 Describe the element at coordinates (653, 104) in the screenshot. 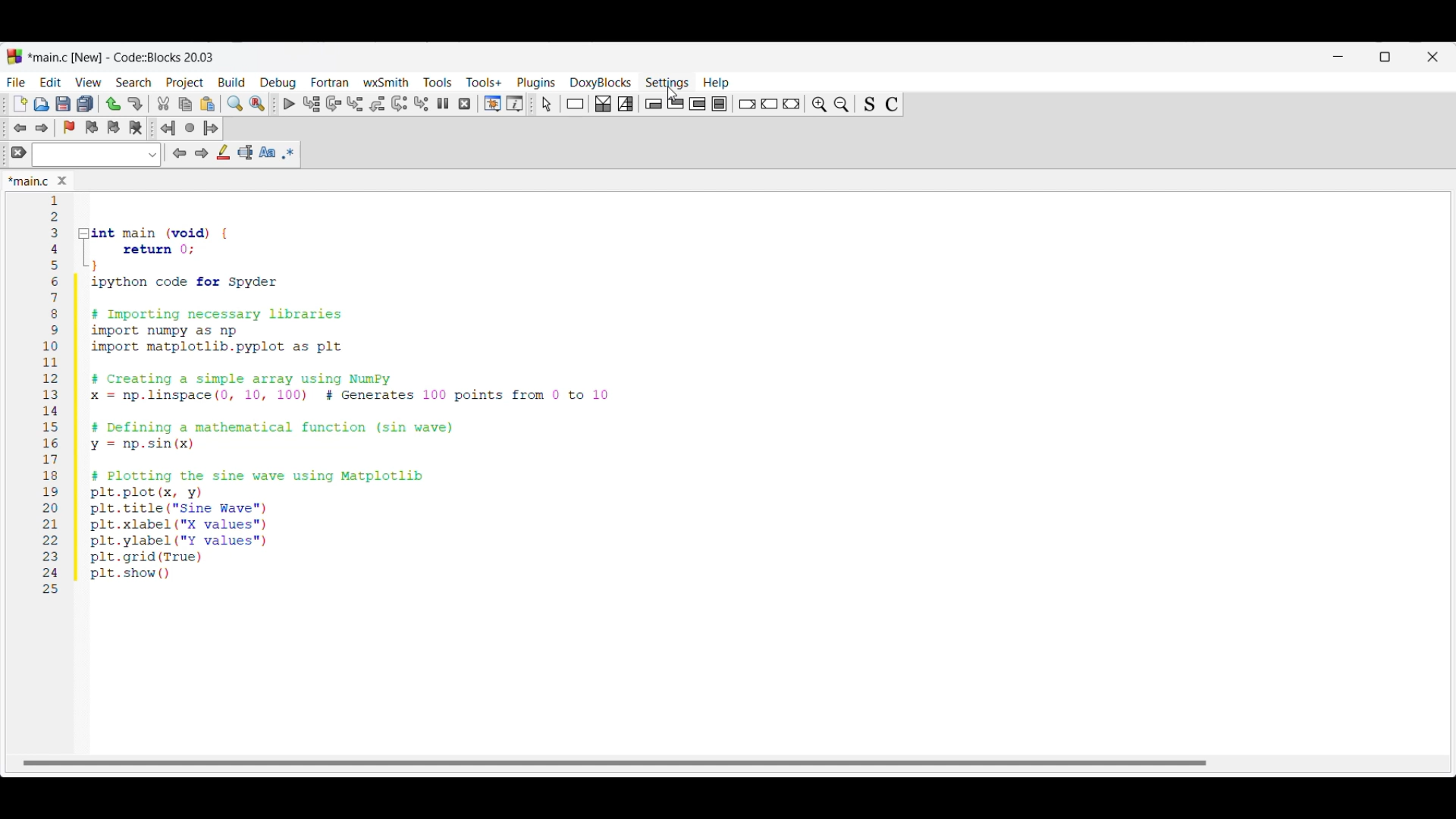

I see `Entry condition loop` at that location.